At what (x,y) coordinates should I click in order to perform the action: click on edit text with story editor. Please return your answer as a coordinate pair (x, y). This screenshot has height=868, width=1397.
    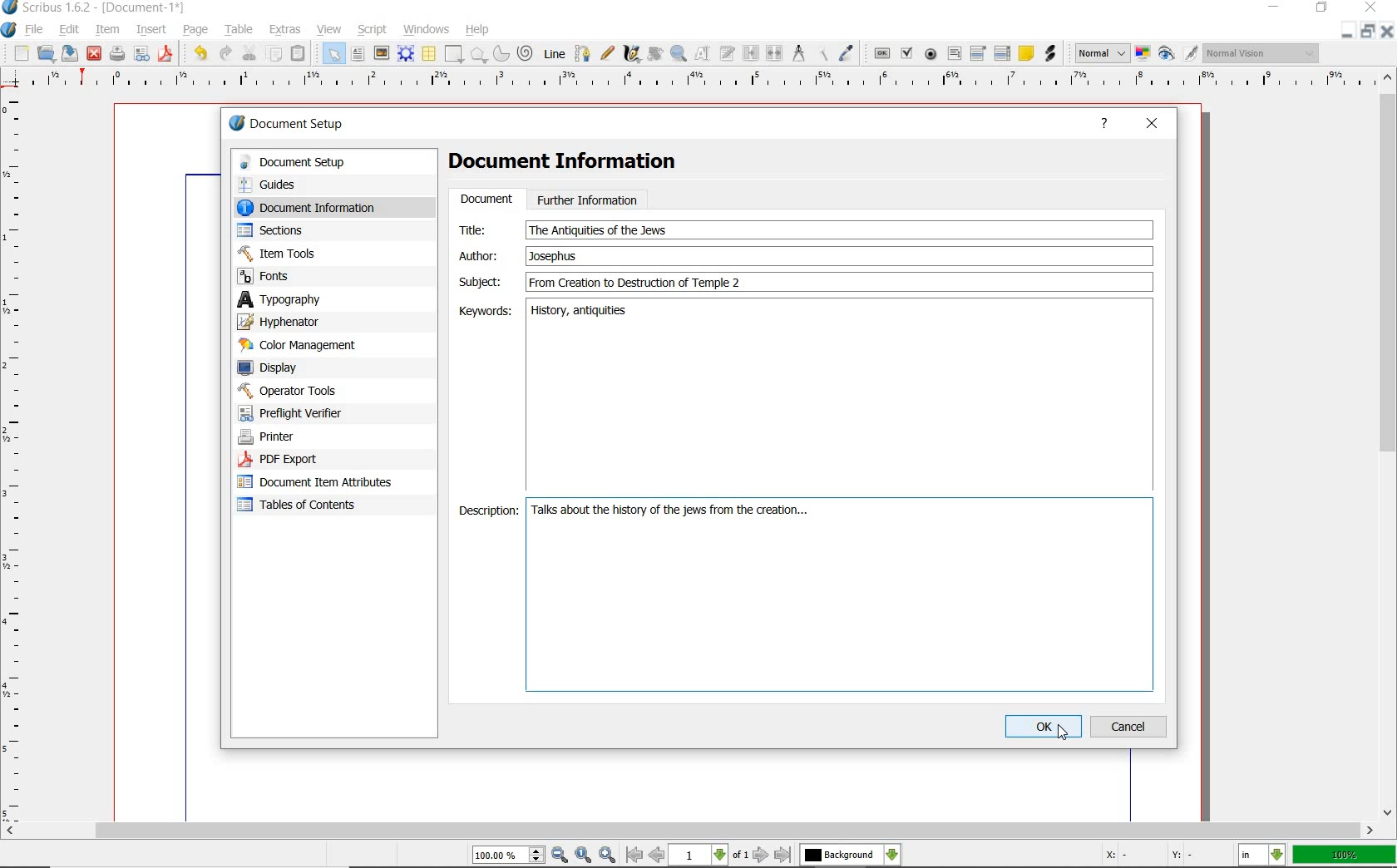
    Looking at the image, I should click on (728, 55).